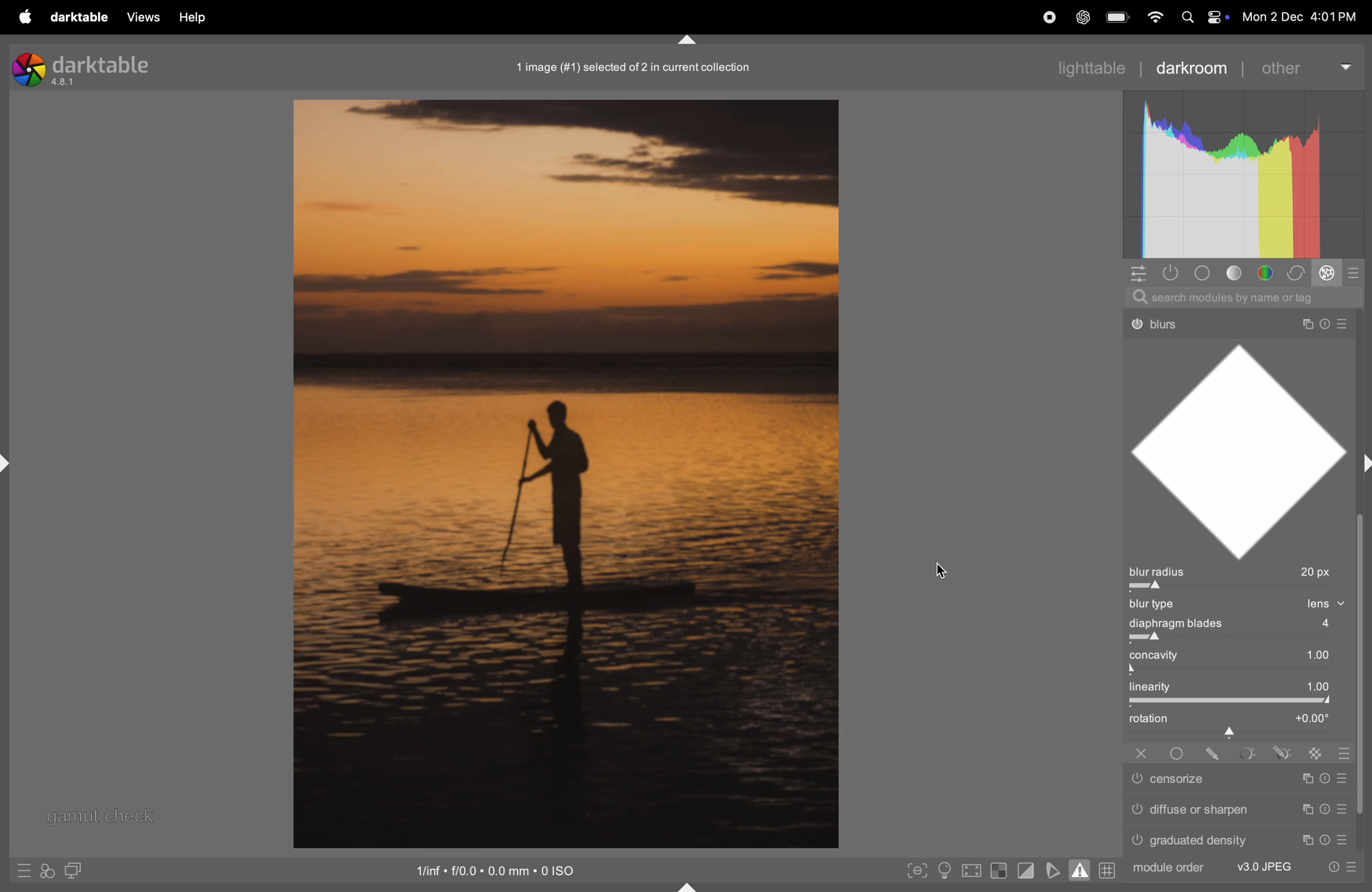 The image size is (1372, 892). What do you see at coordinates (80, 68) in the screenshot?
I see `darktable version` at bounding box center [80, 68].